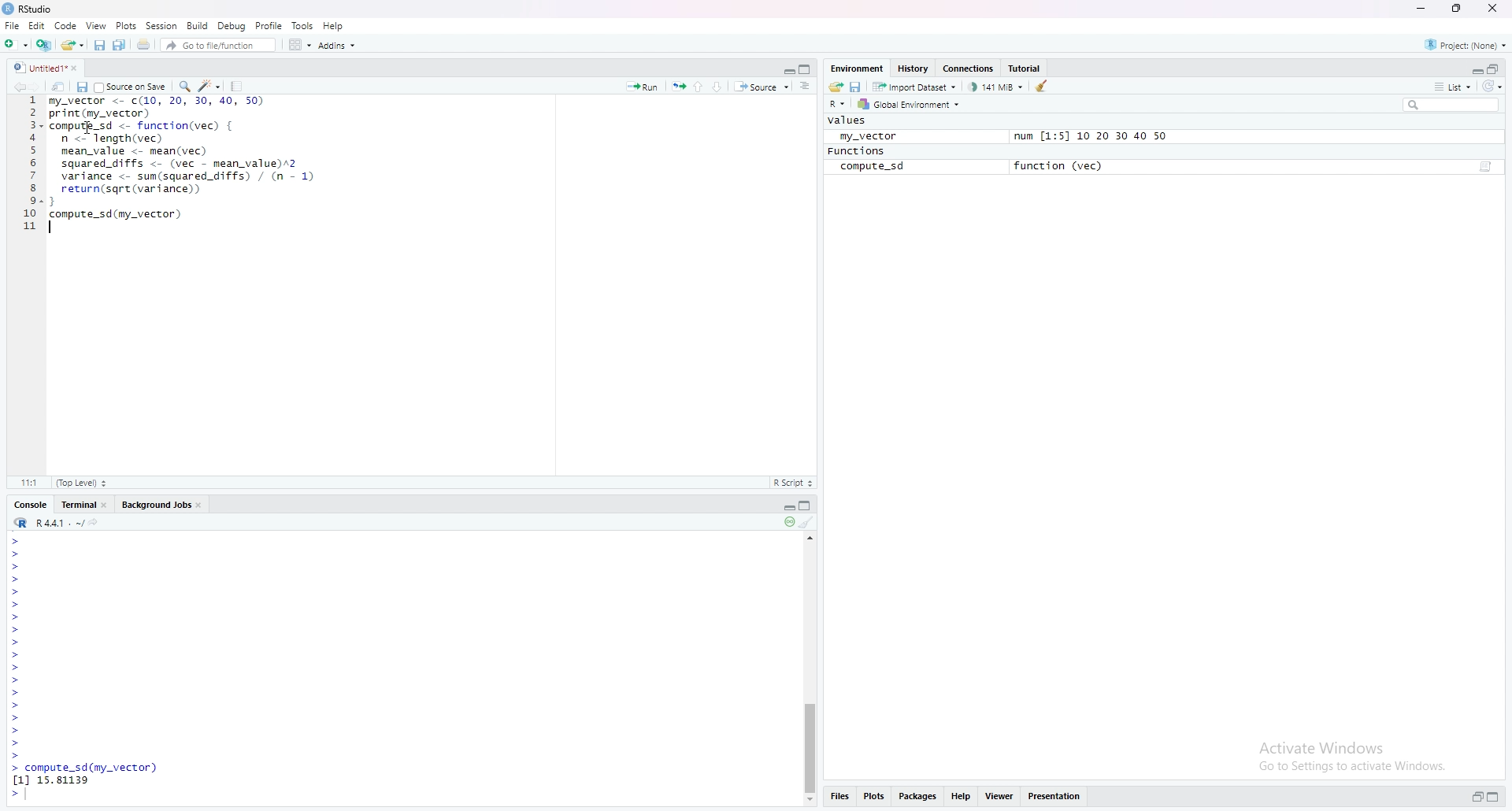 The width and height of the screenshot is (1512, 811). Describe the element at coordinates (183, 86) in the screenshot. I see `Find and replace` at that location.